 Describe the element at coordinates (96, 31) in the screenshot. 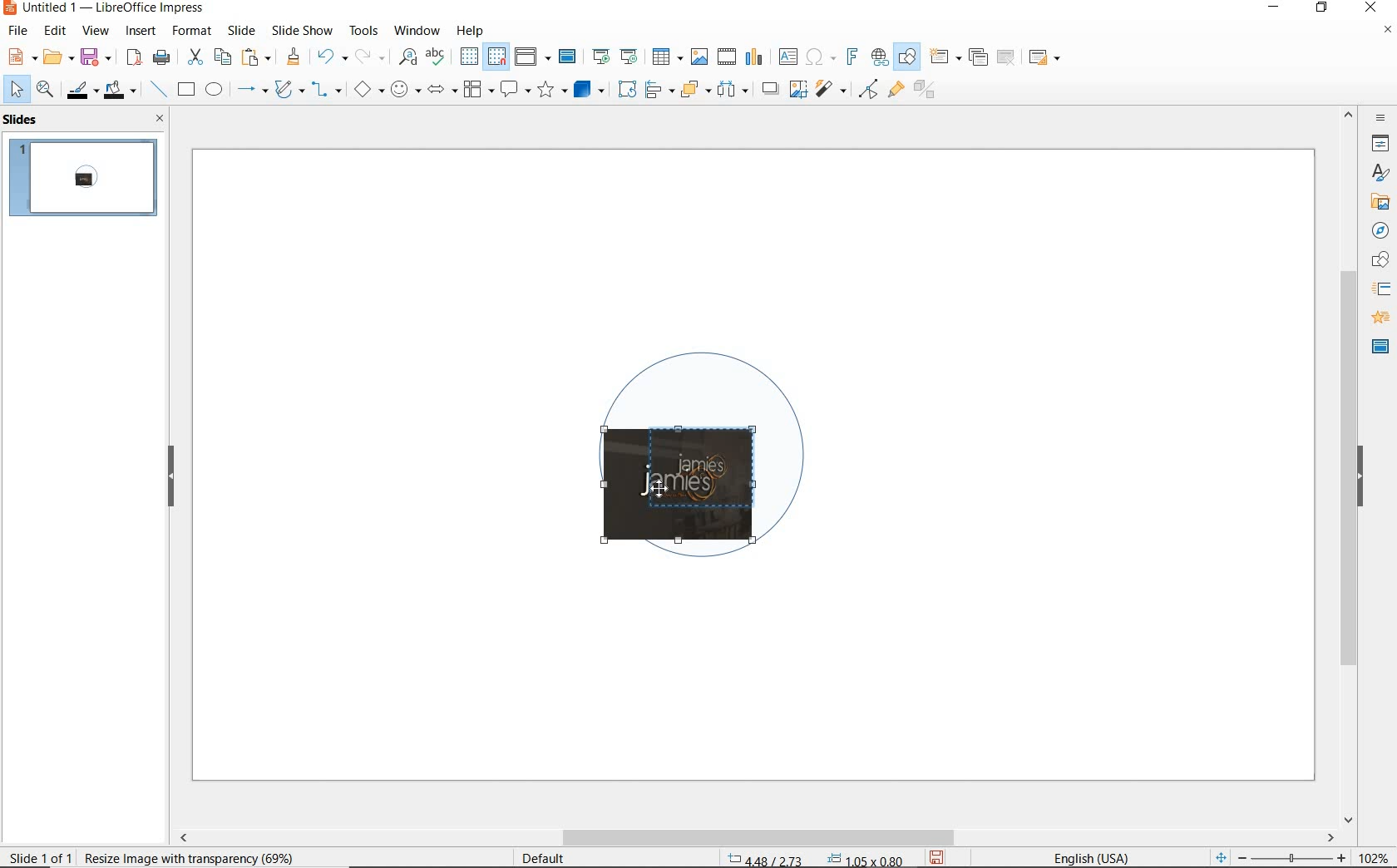

I see `view` at that location.